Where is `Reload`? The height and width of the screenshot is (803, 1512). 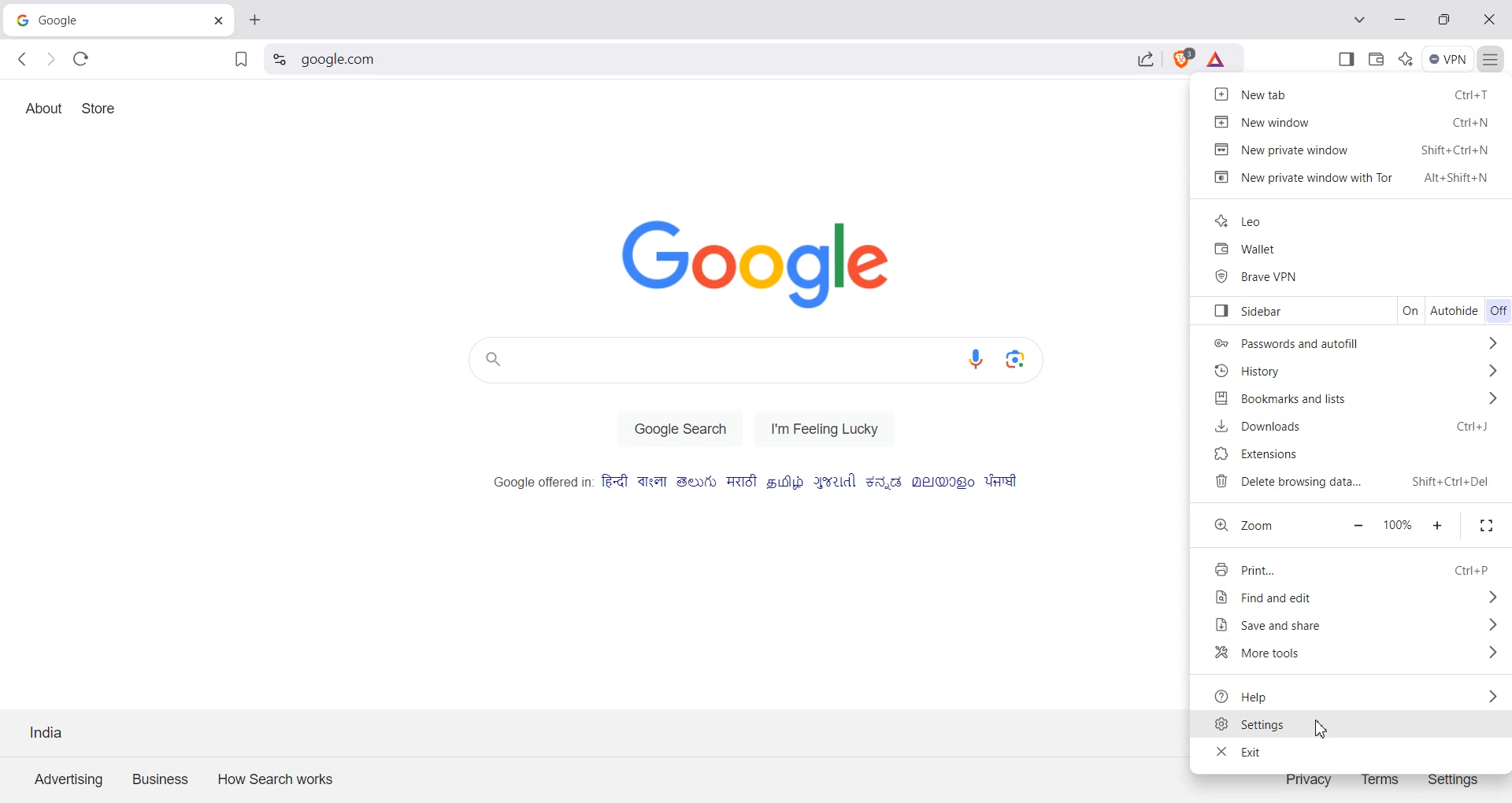
Reload is located at coordinates (81, 58).